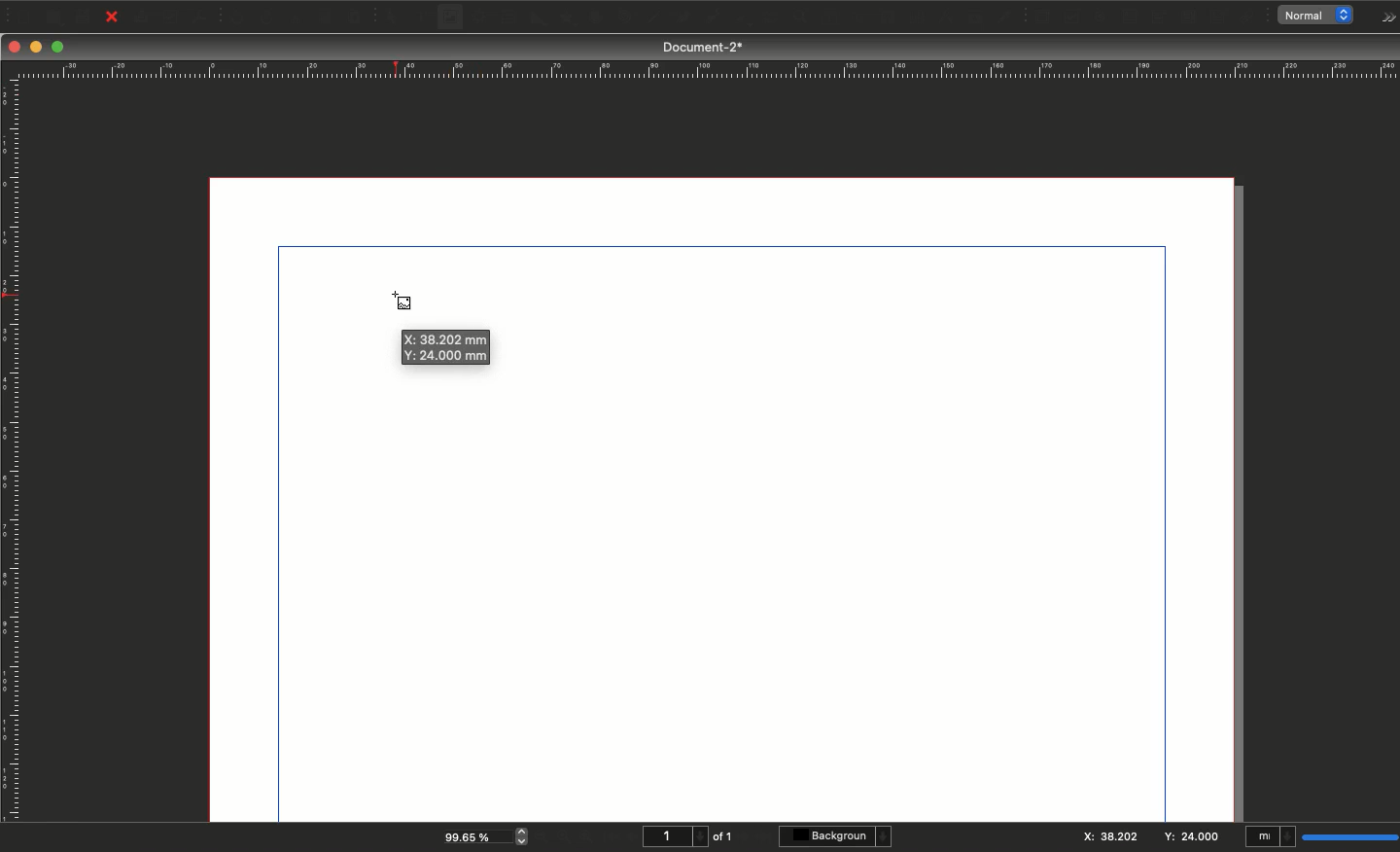  Describe the element at coordinates (740, 20) in the screenshot. I see `Rotate item` at that location.